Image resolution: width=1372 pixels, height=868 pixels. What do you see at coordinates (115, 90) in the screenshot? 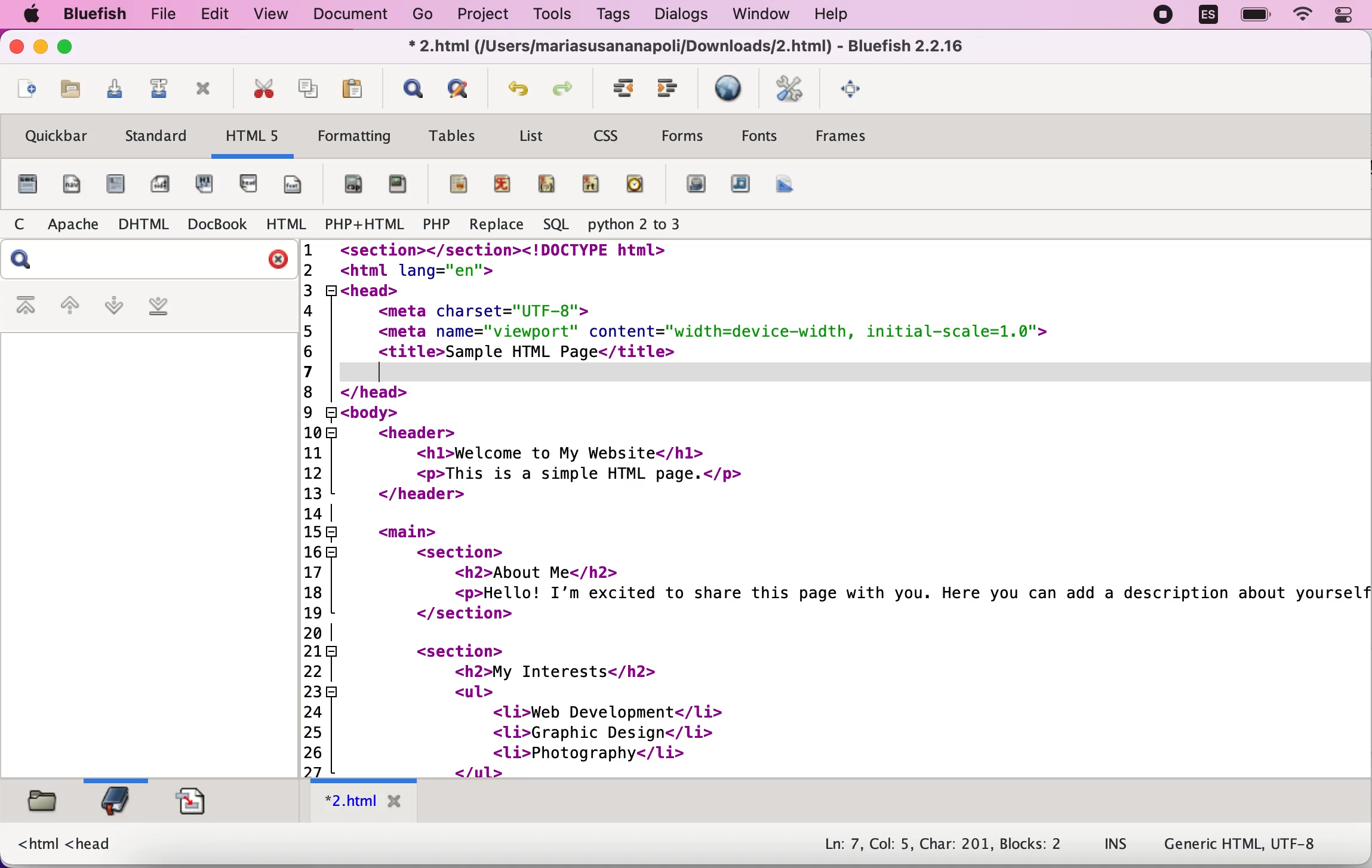
I see `save` at bounding box center [115, 90].